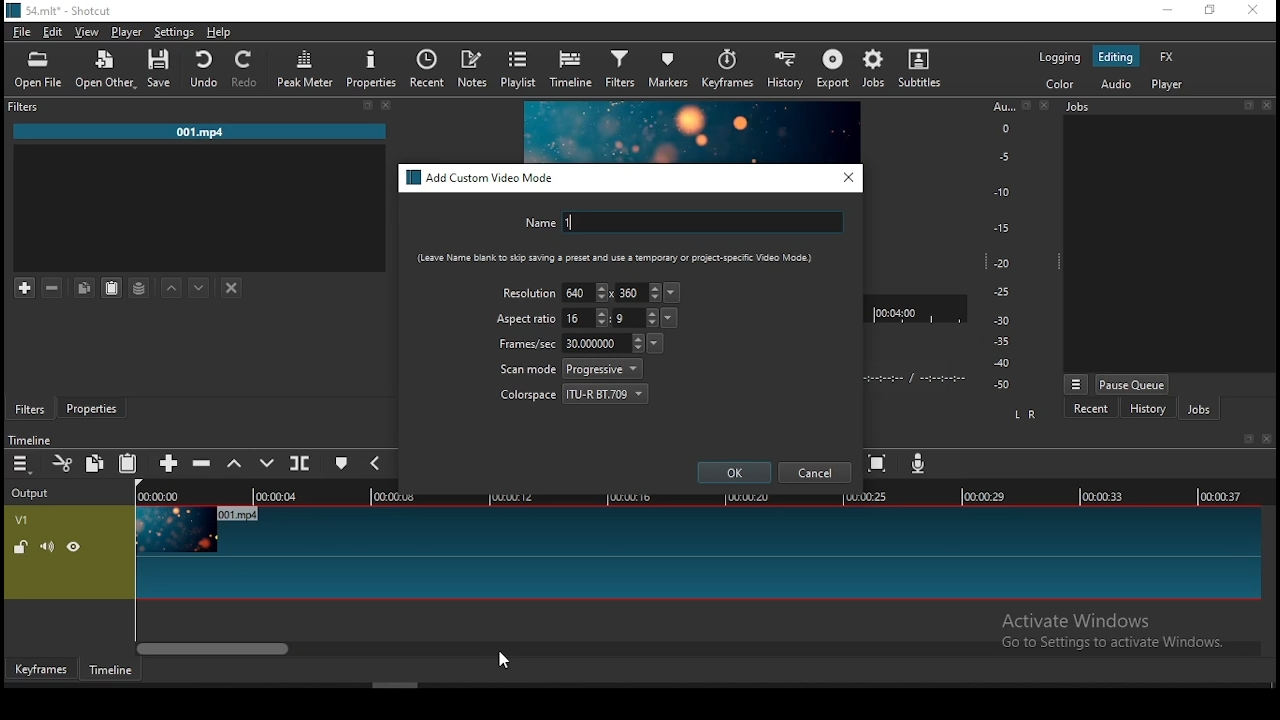 The image size is (1280, 720). What do you see at coordinates (569, 343) in the screenshot?
I see `frames/sec` at bounding box center [569, 343].